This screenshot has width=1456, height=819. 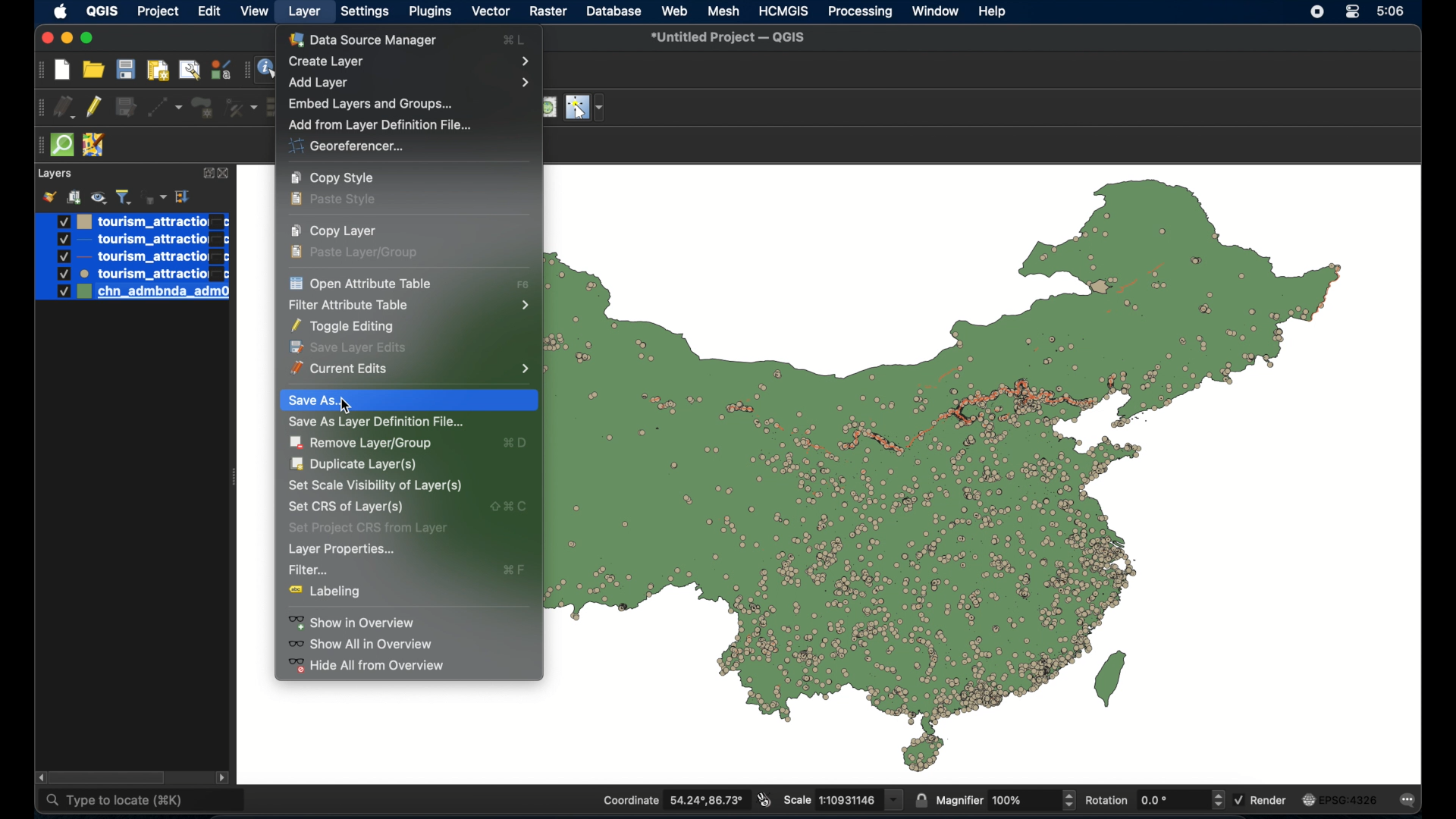 I want to click on open attribute table shortcut, so click(x=522, y=285).